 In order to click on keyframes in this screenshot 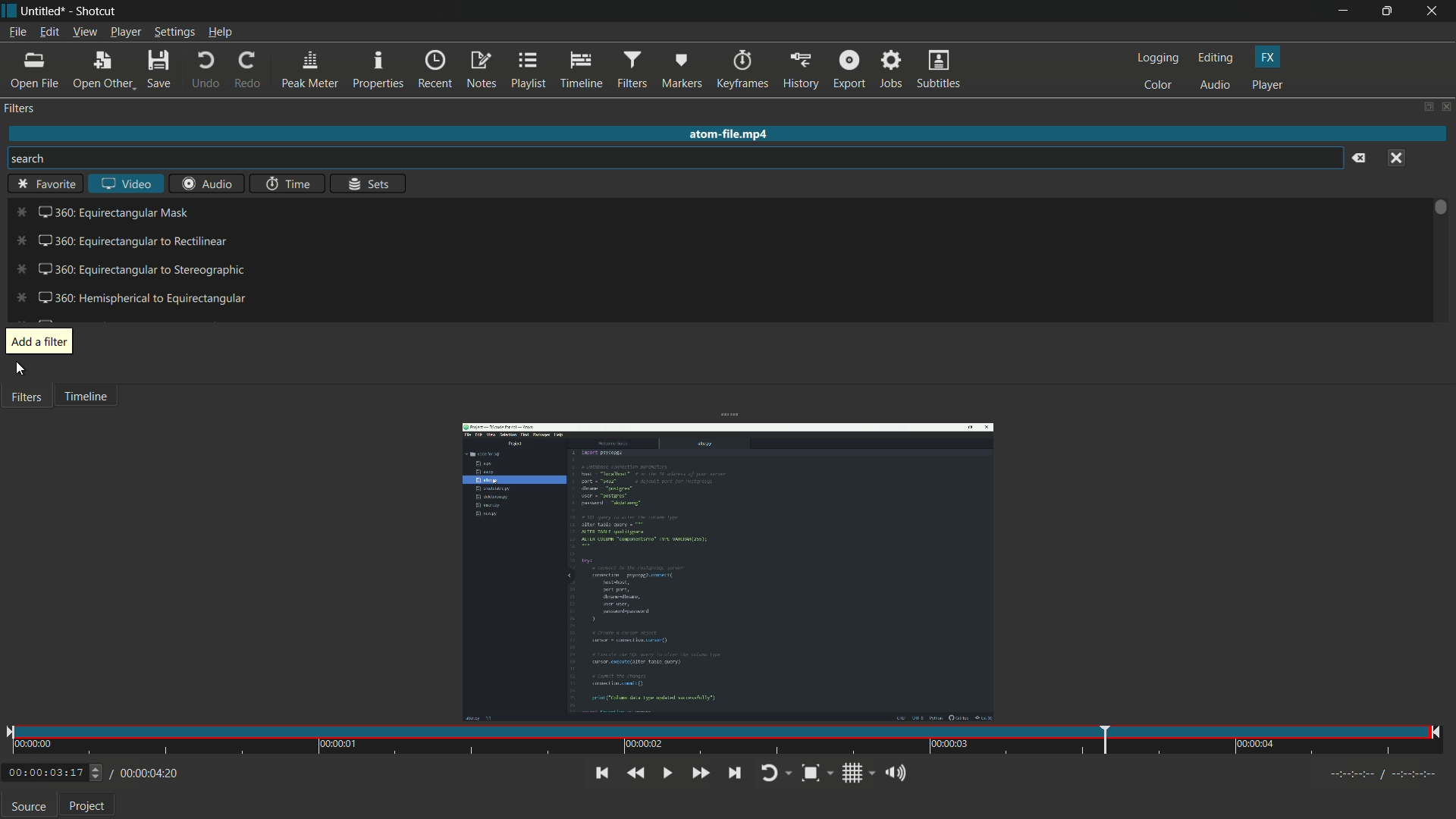, I will do `click(741, 71)`.